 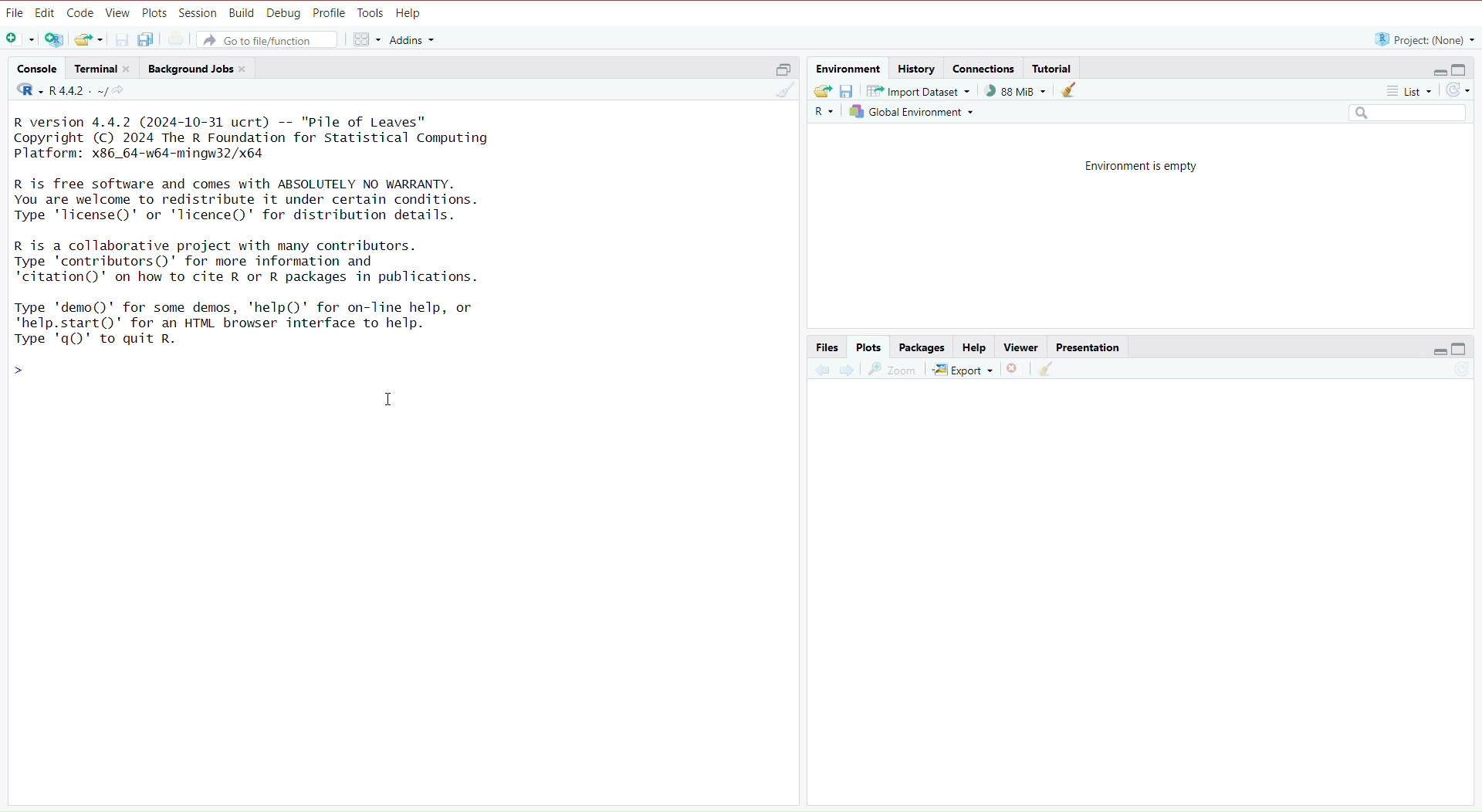 I want to click on expand, so click(x=1435, y=71).